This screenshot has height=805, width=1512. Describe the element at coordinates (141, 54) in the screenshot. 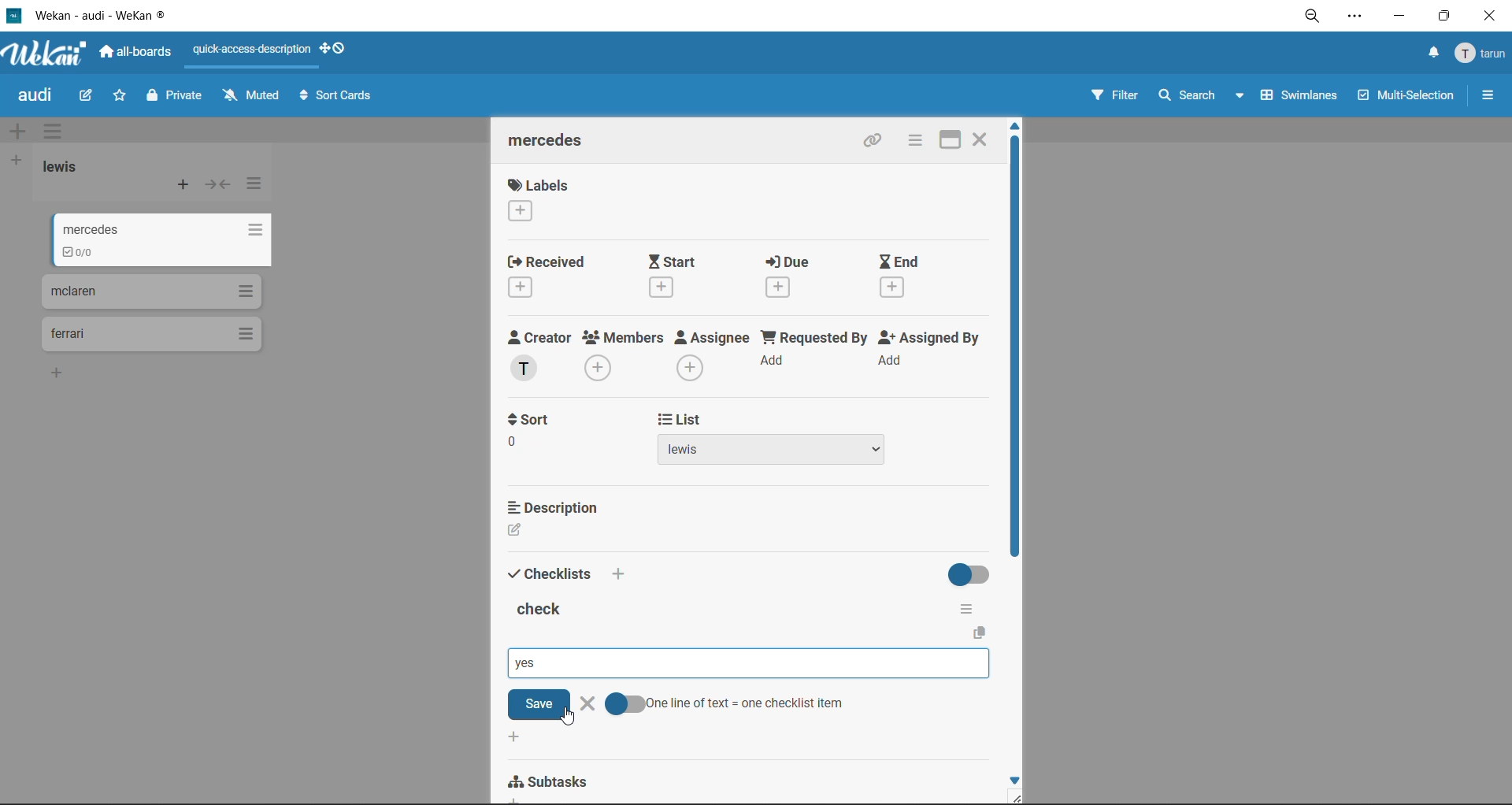

I see `all boards` at that location.